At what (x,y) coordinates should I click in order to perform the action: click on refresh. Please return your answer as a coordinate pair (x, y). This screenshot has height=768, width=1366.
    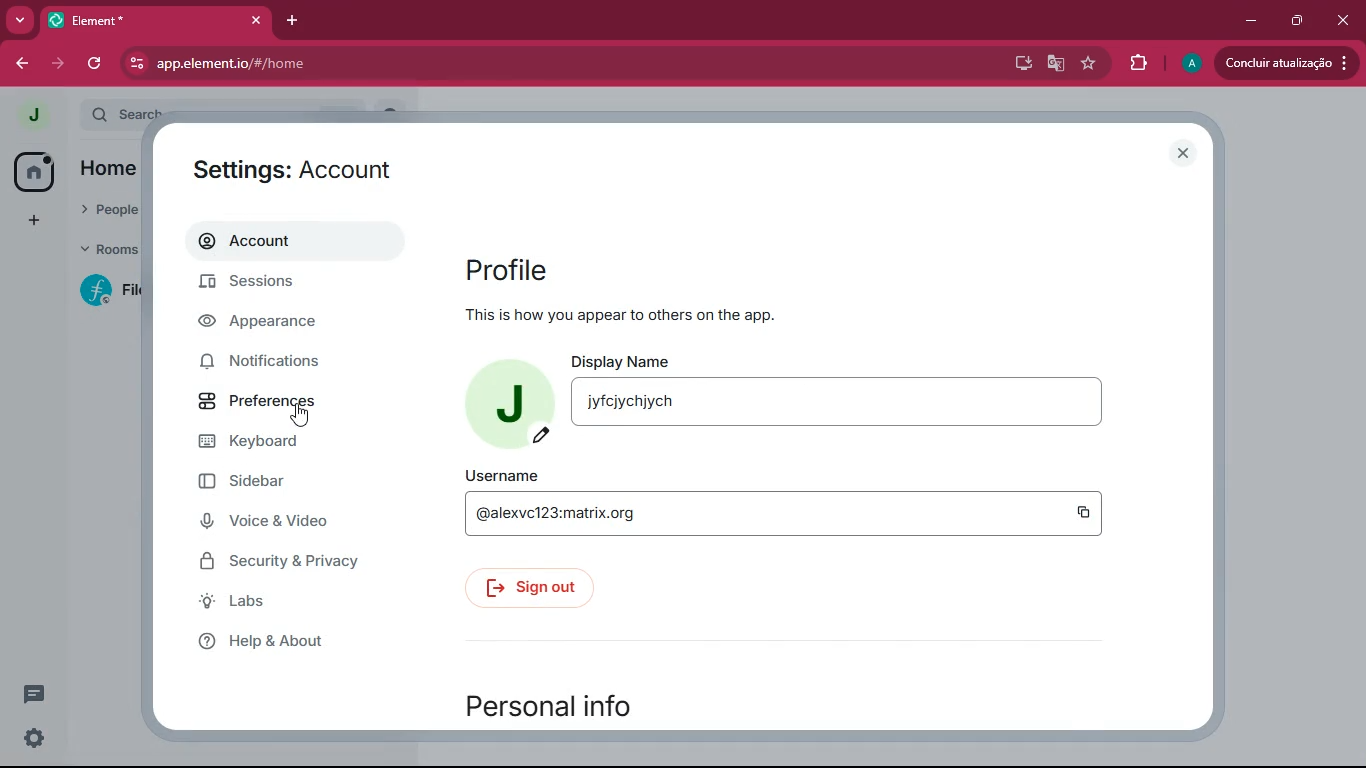
    Looking at the image, I should click on (97, 62).